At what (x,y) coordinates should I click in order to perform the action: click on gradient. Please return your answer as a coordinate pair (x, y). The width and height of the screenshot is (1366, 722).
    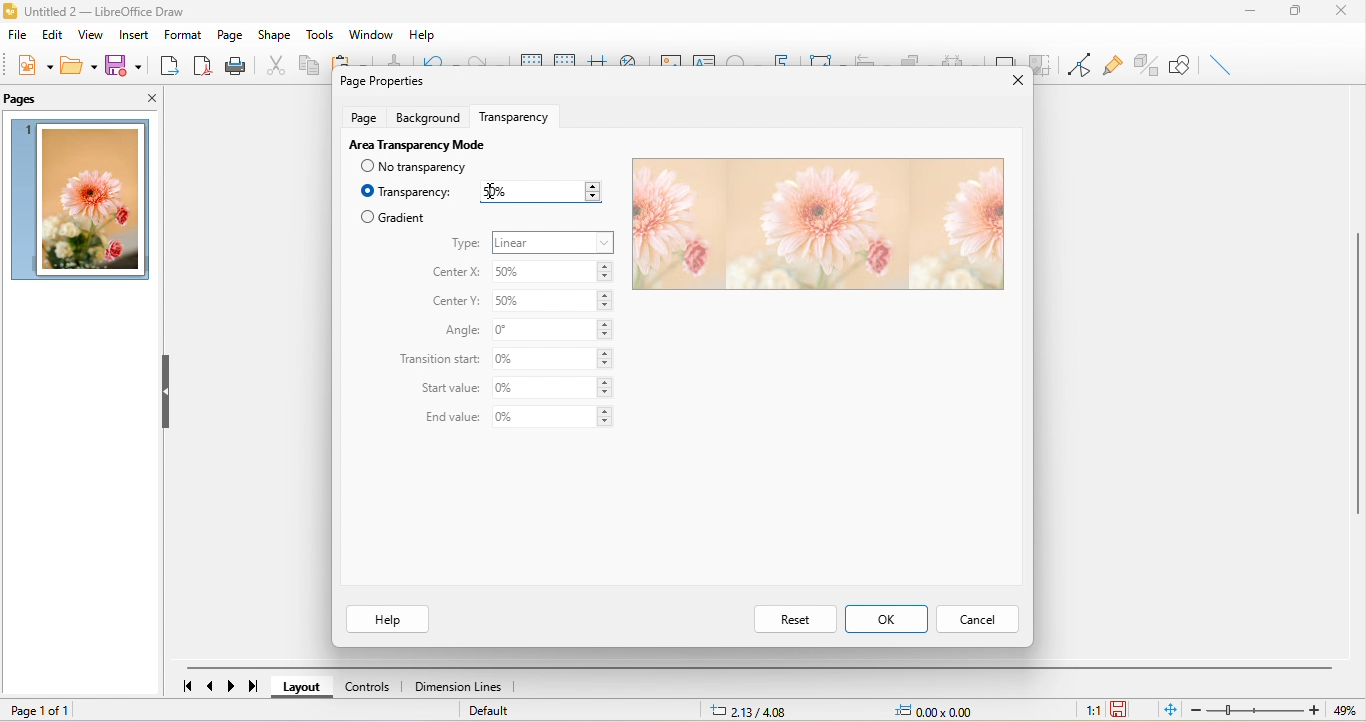
    Looking at the image, I should click on (393, 217).